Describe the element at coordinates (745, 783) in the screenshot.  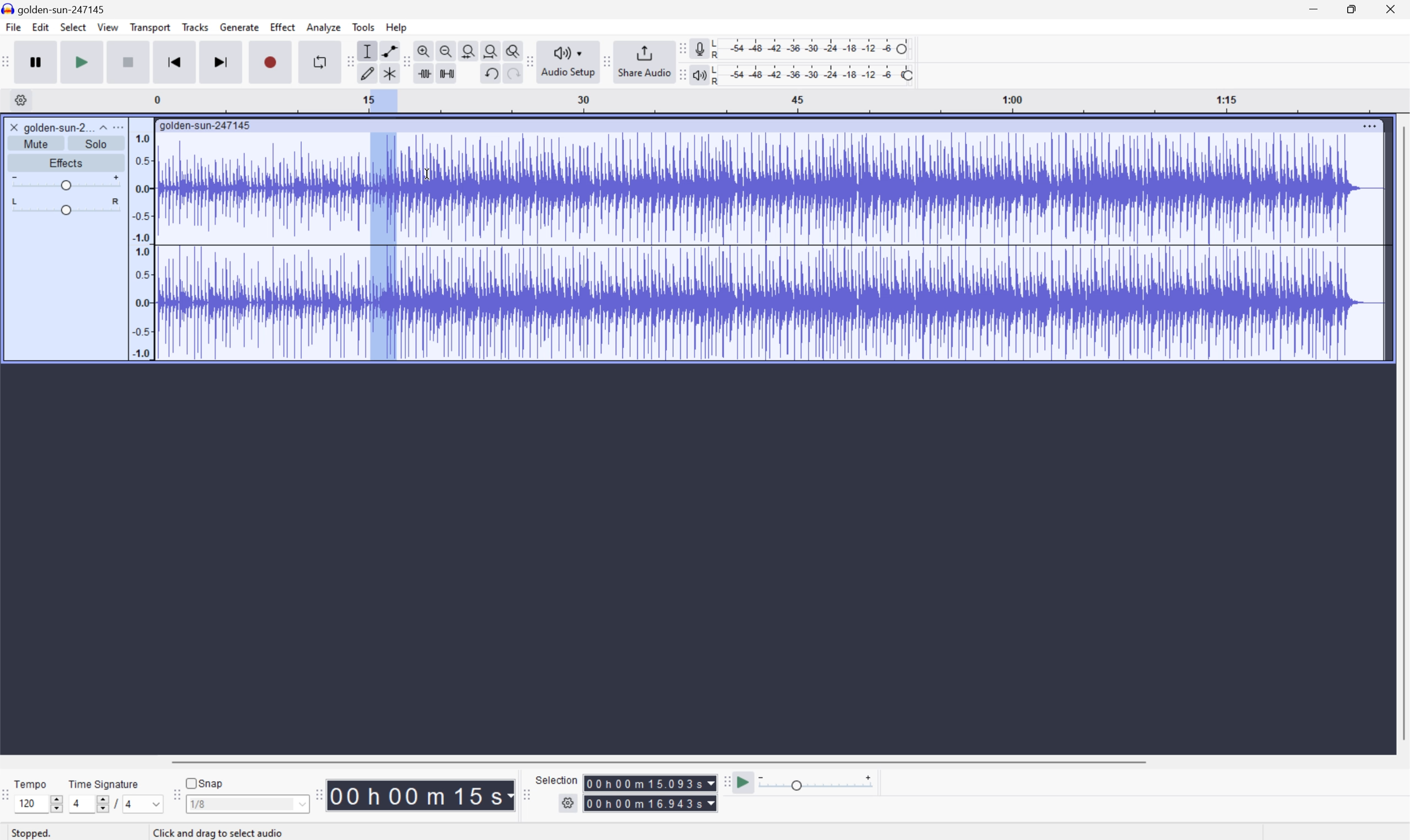
I see `Play st speed` at that location.